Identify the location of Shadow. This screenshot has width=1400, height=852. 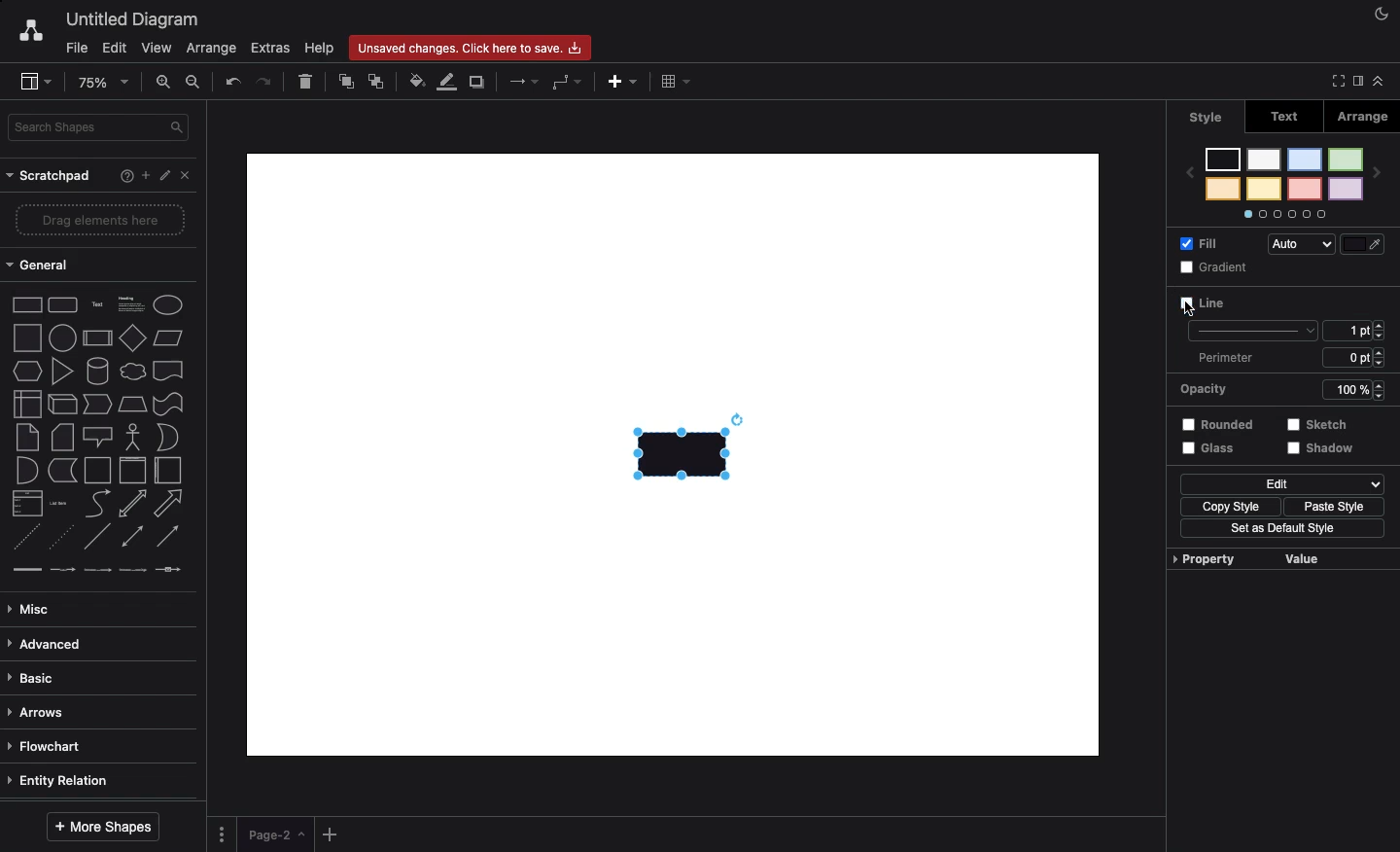
(1323, 449).